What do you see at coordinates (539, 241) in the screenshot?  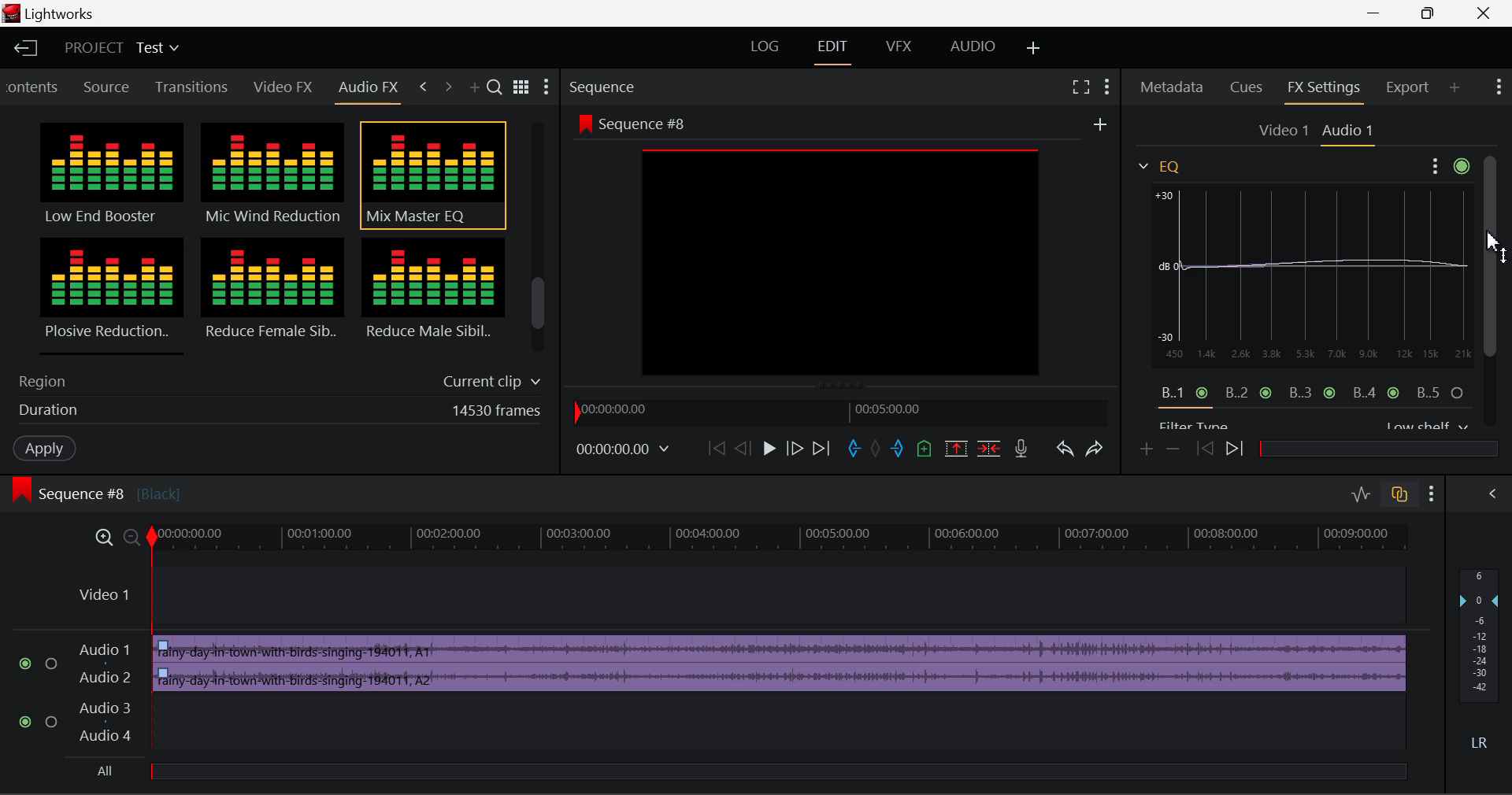 I see `Scroll Bar` at bounding box center [539, 241].